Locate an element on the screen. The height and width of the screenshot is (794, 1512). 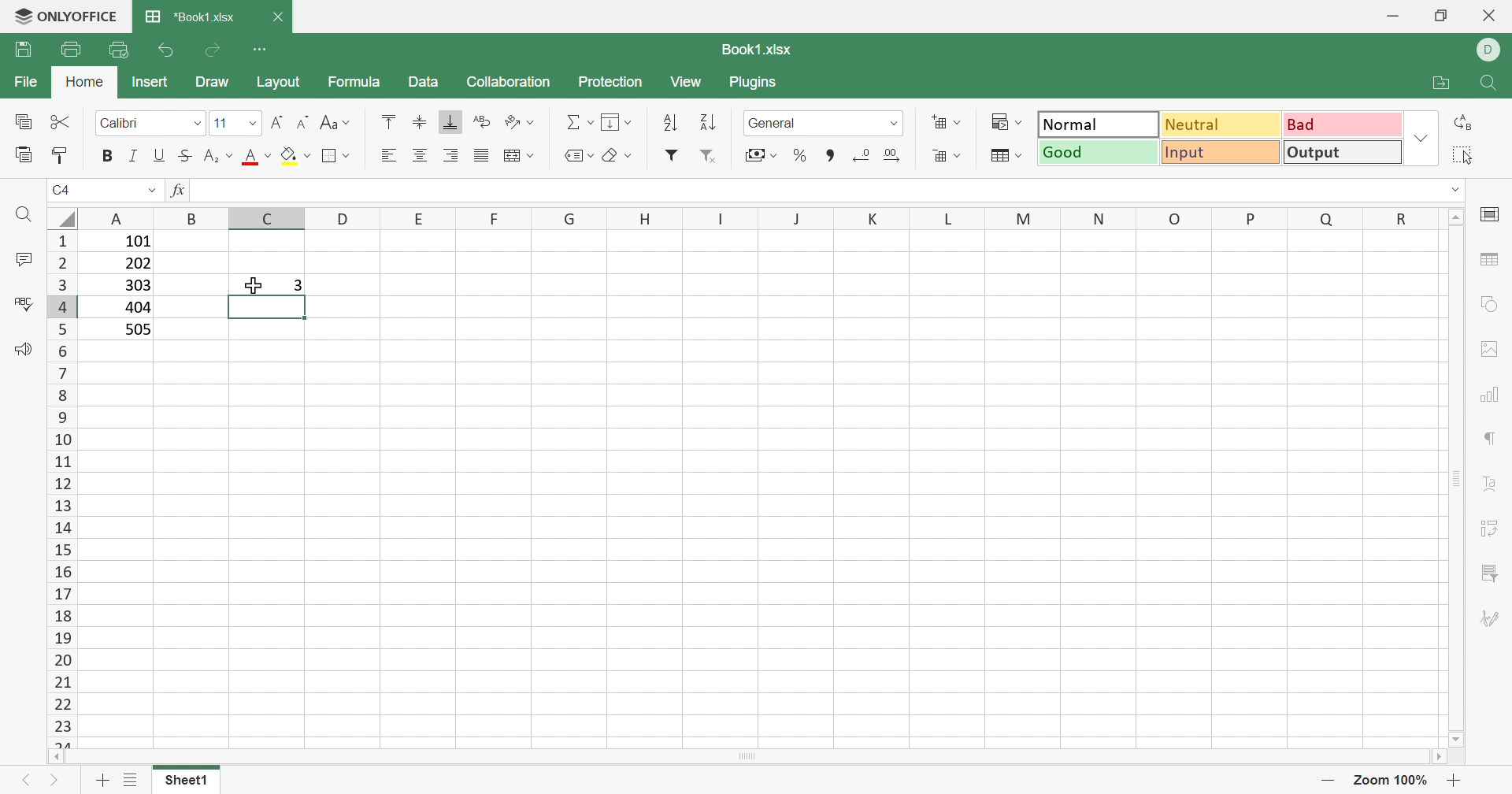
image settings is located at coordinates (1492, 347).